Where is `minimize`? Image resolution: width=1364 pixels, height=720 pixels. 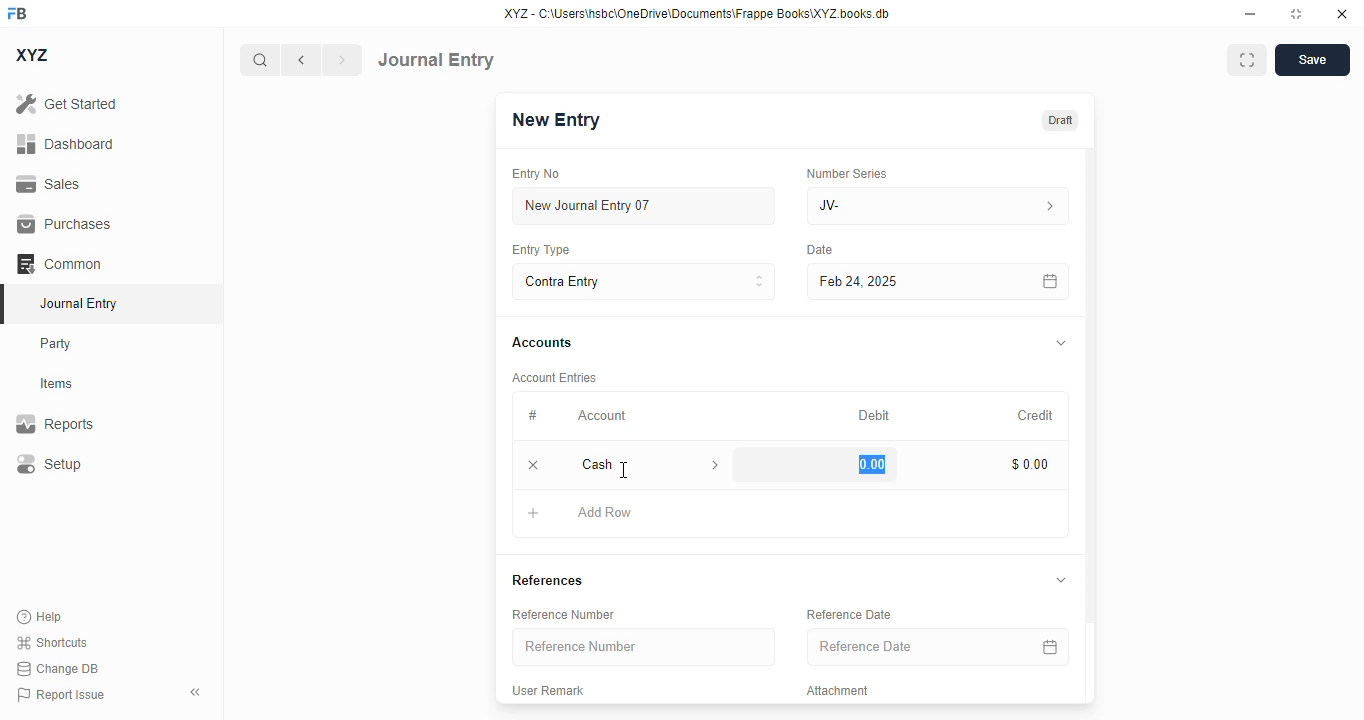
minimize is located at coordinates (1251, 14).